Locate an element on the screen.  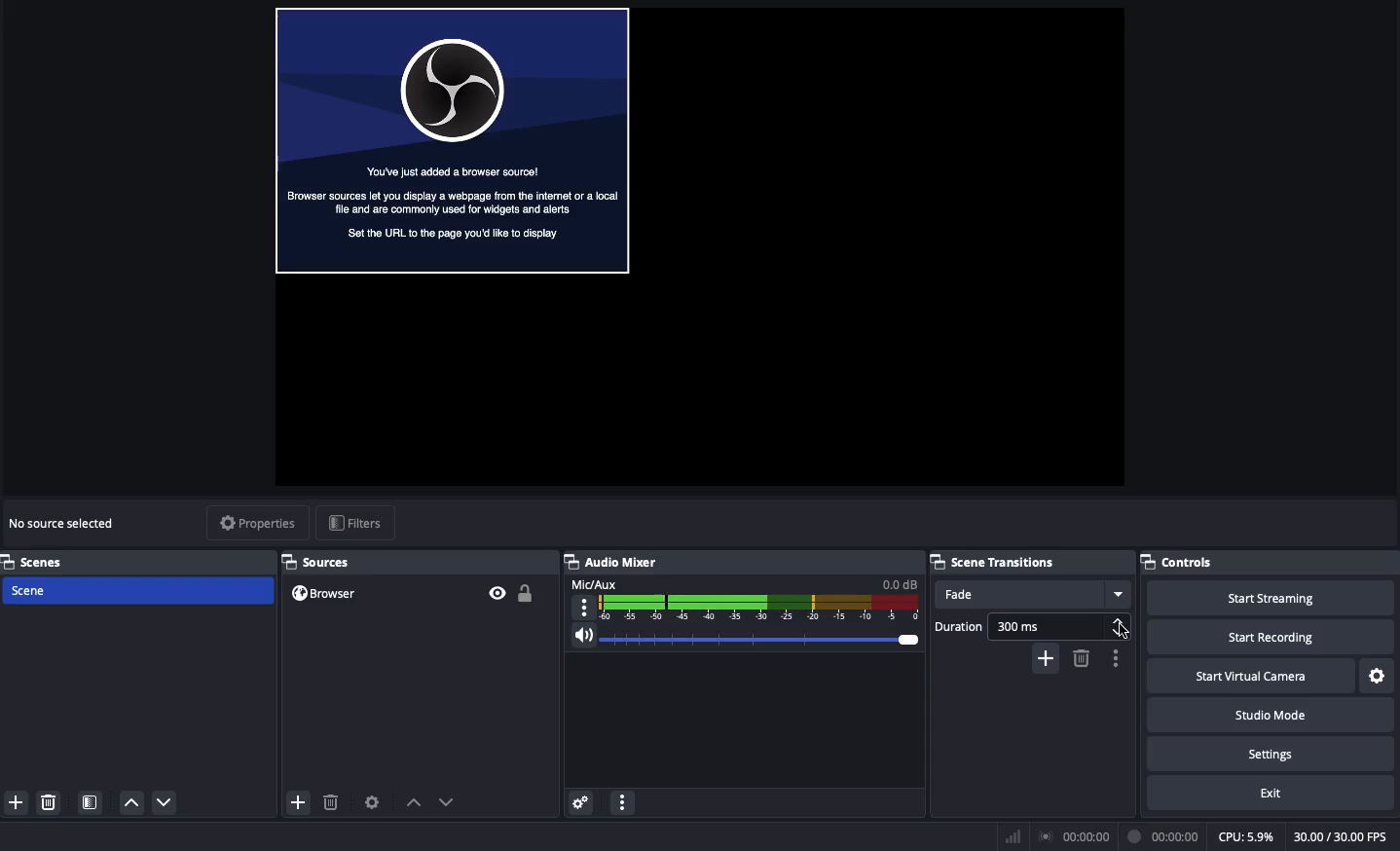
CPU is located at coordinates (1243, 836).